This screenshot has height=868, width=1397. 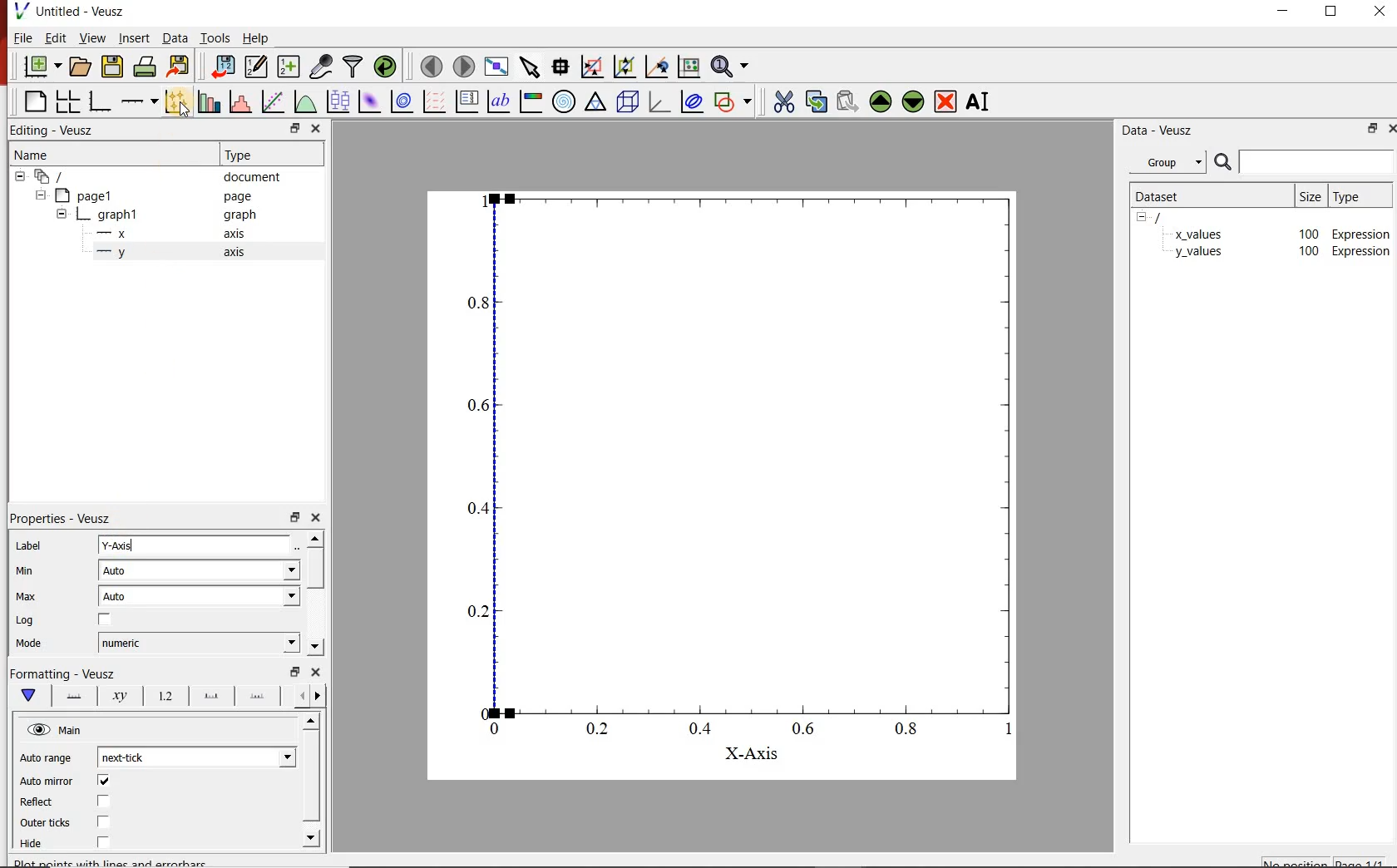 I want to click on main formatting, so click(x=29, y=696).